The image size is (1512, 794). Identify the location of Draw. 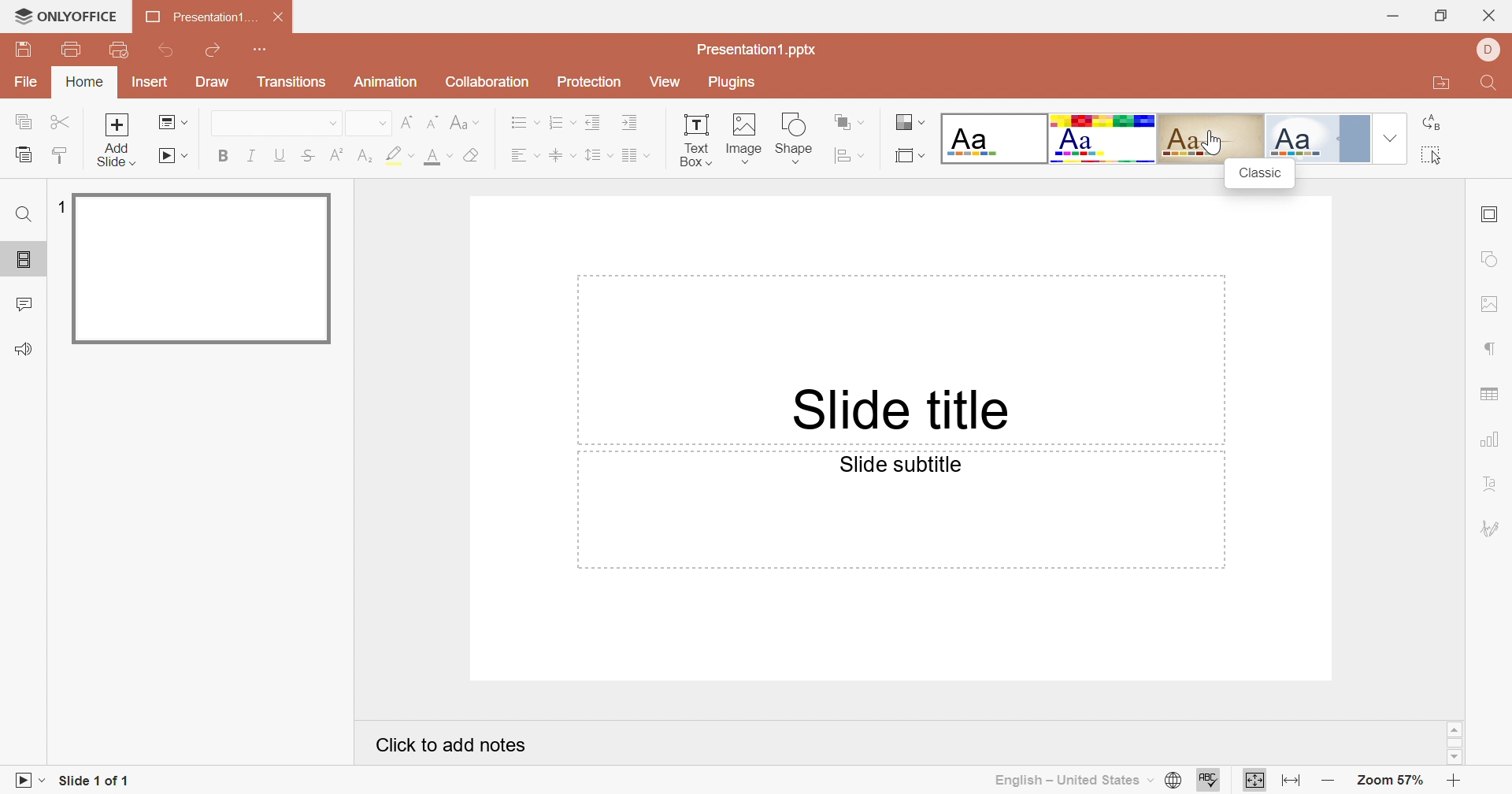
(213, 80).